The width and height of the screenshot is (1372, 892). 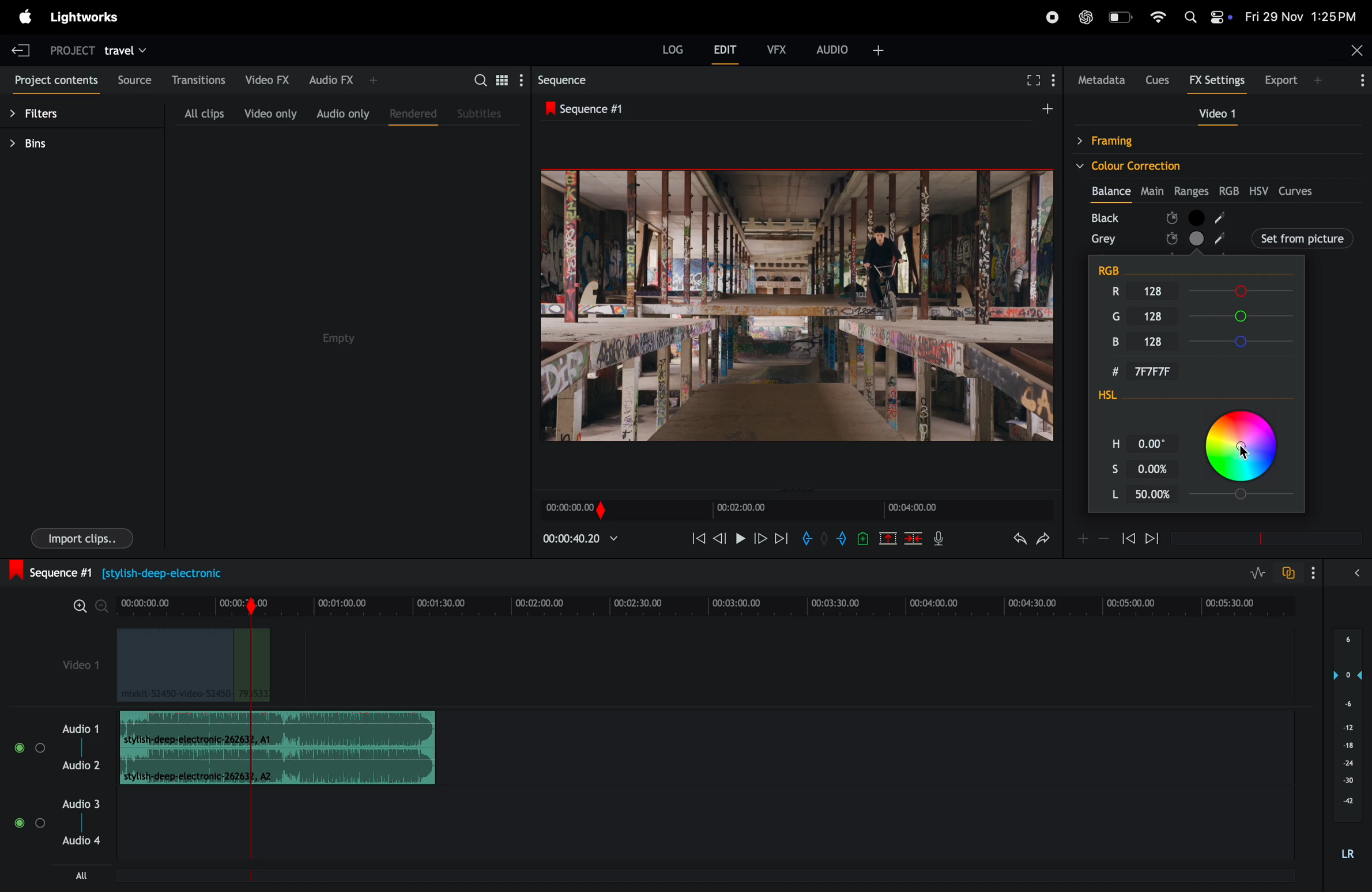 What do you see at coordinates (193, 666) in the screenshot?
I see `video clips` at bounding box center [193, 666].